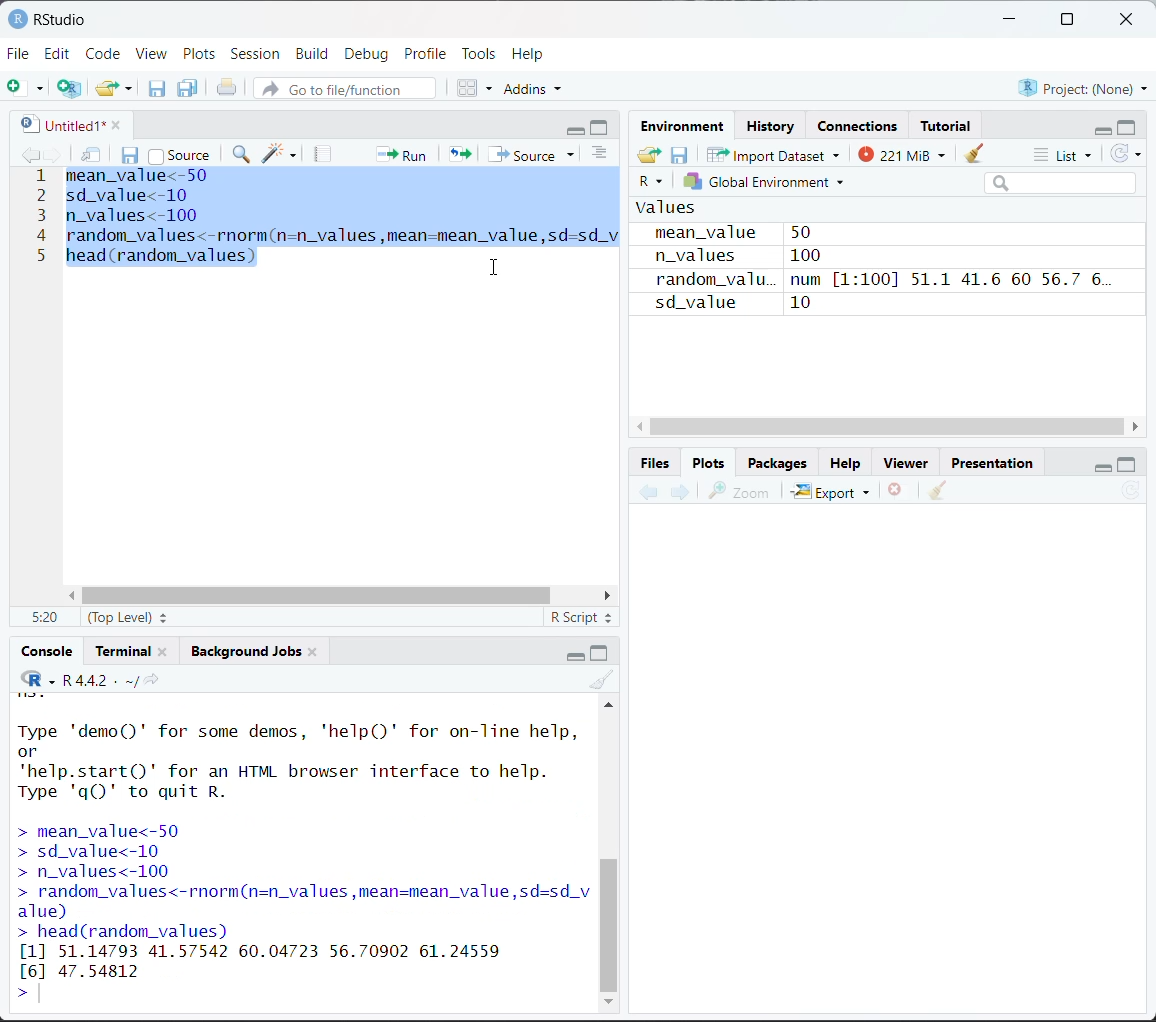 This screenshot has height=1022, width=1156. What do you see at coordinates (157, 88) in the screenshot?
I see `save current document` at bounding box center [157, 88].